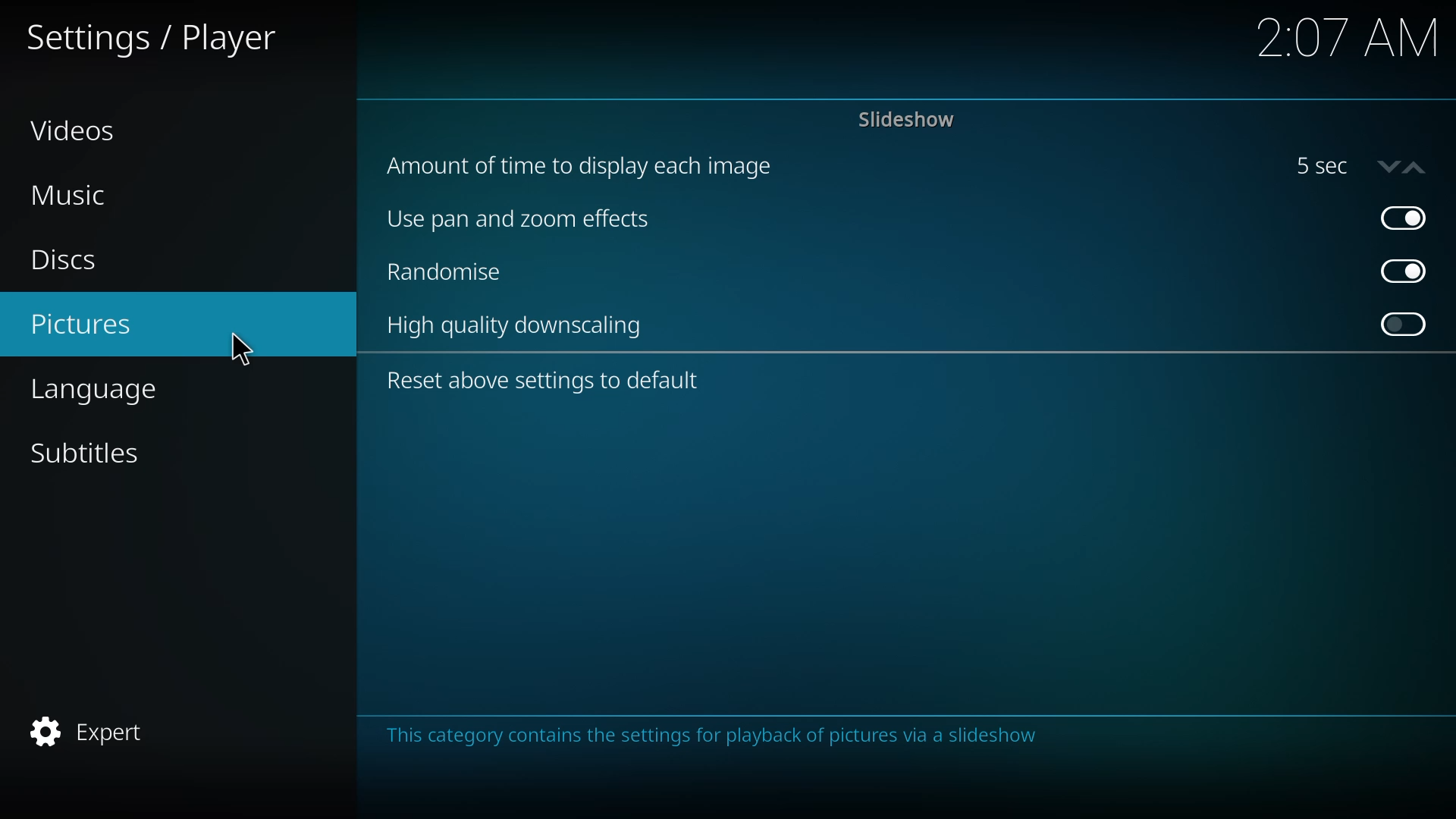 The image size is (1456, 819). What do you see at coordinates (1359, 166) in the screenshot?
I see `5 sec` at bounding box center [1359, 166].